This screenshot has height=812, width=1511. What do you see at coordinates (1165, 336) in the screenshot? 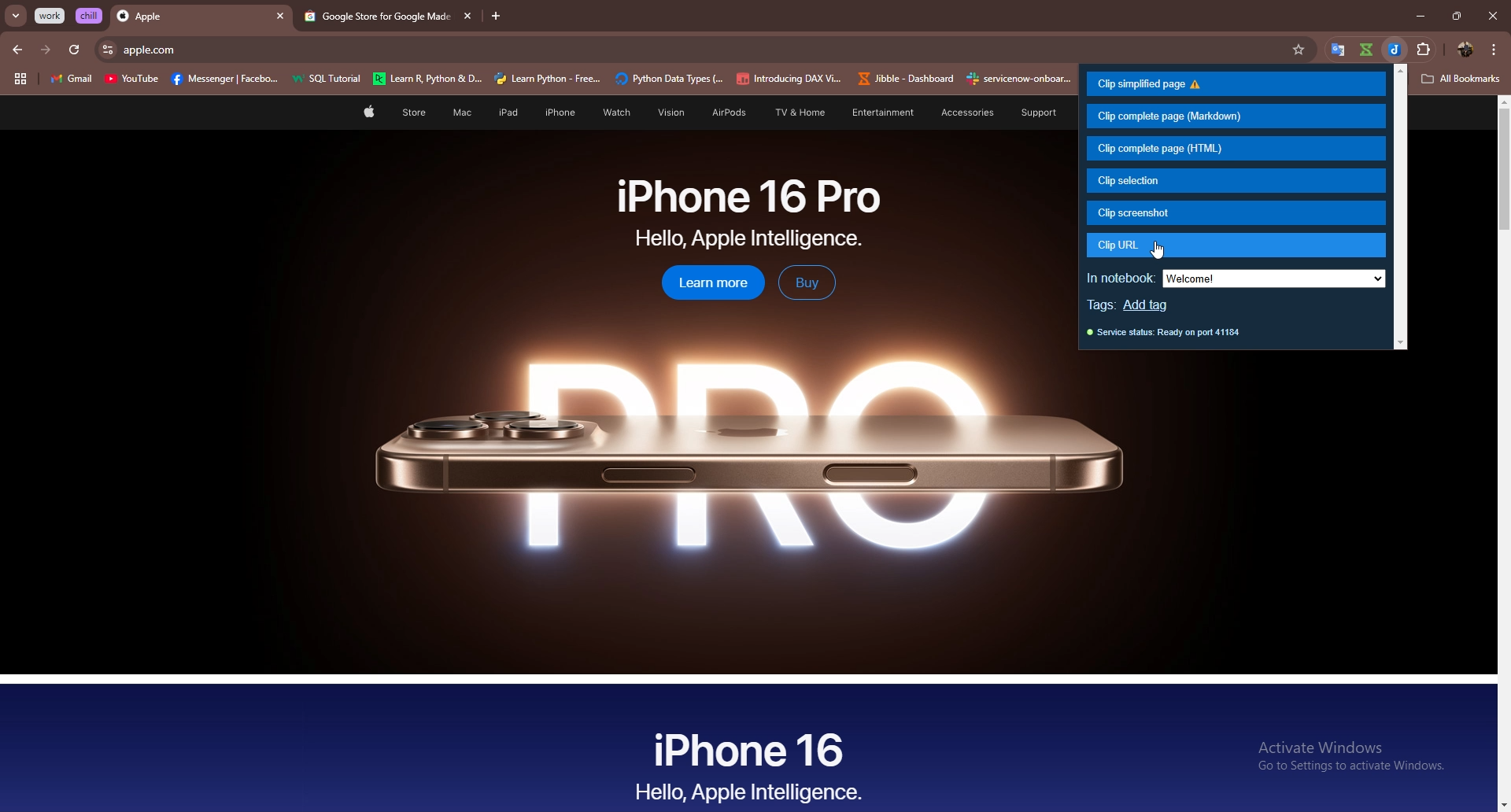
I see `service status: Ready on port 41184` at bounding box center [1165, 336].